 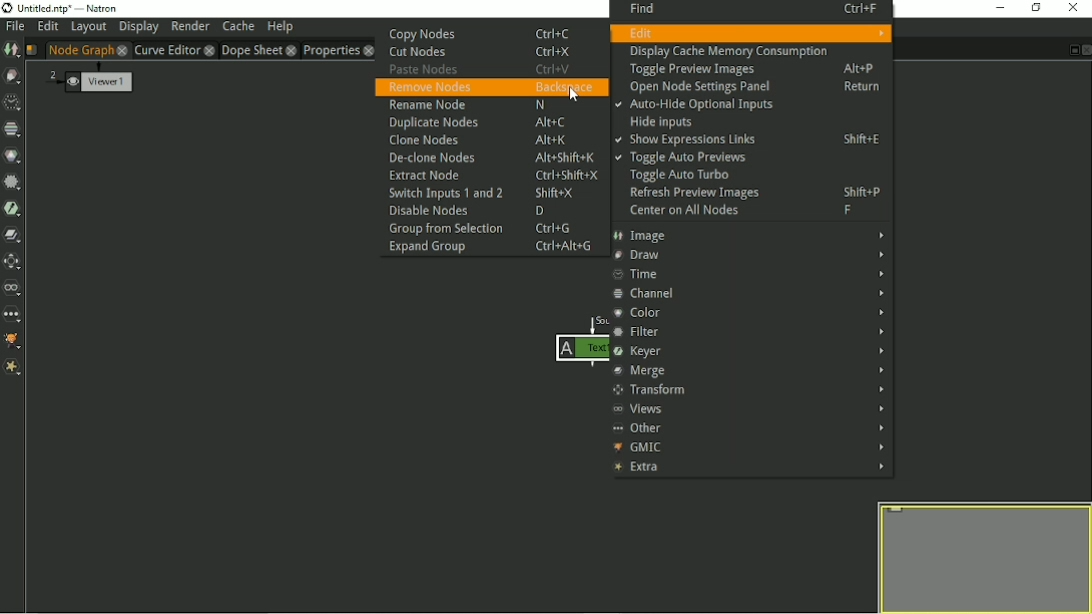 What do you see at coordinates (13, 183) in the screenshot?
I see `Filter` at bounding box center [13, 183].